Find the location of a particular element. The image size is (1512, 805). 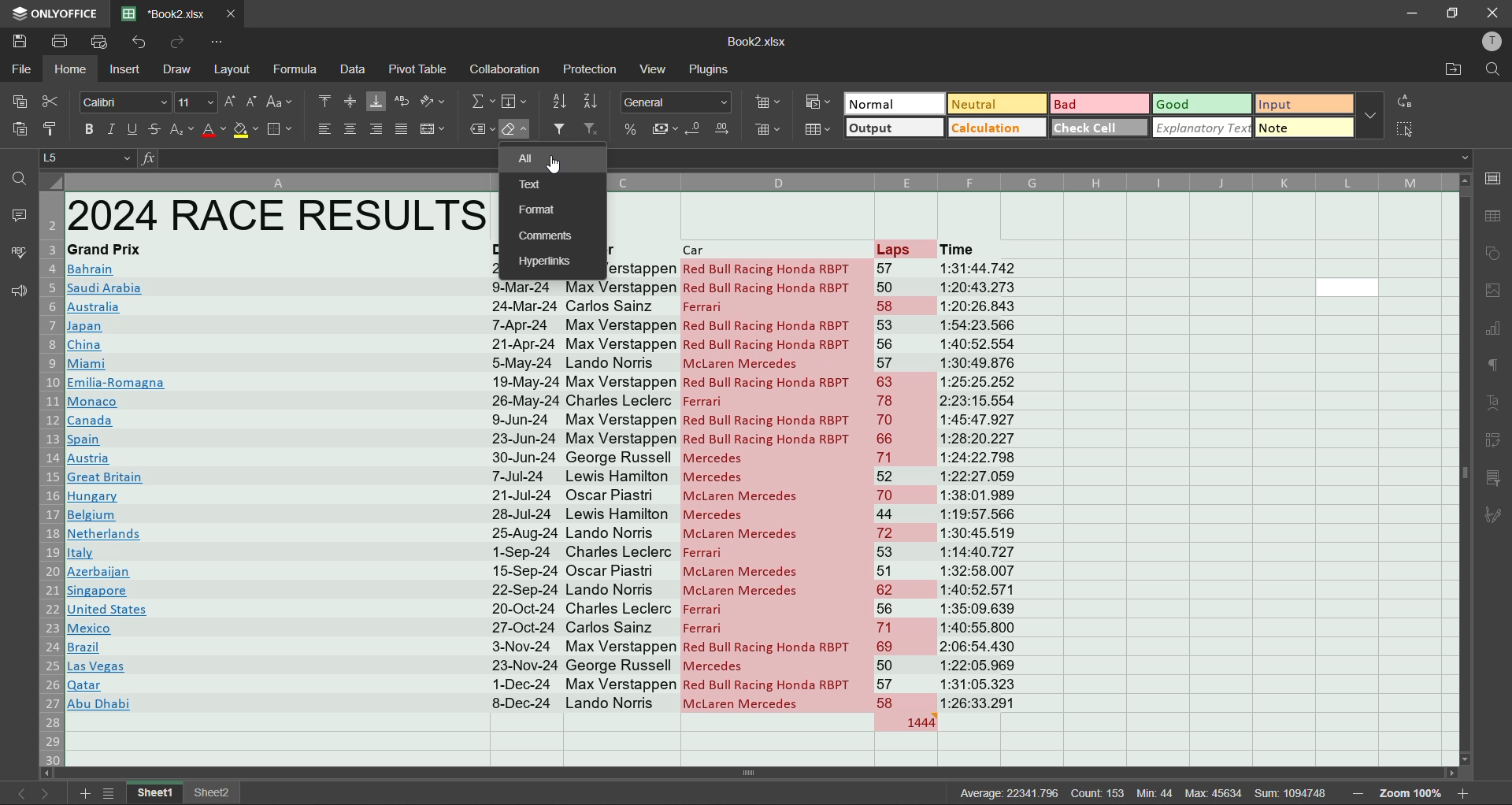

fill color is located at coordinates (244, 129).